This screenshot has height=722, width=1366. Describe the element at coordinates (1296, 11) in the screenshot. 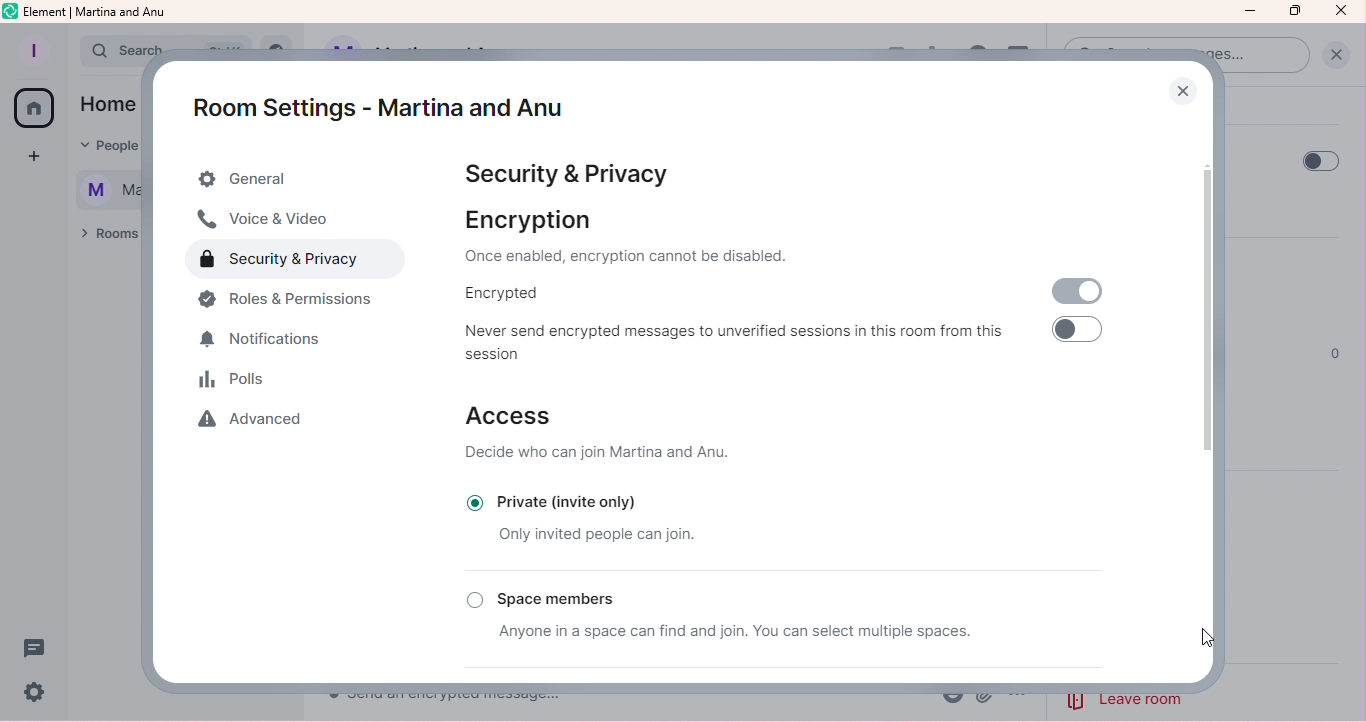

I see `Maximize` at that location.